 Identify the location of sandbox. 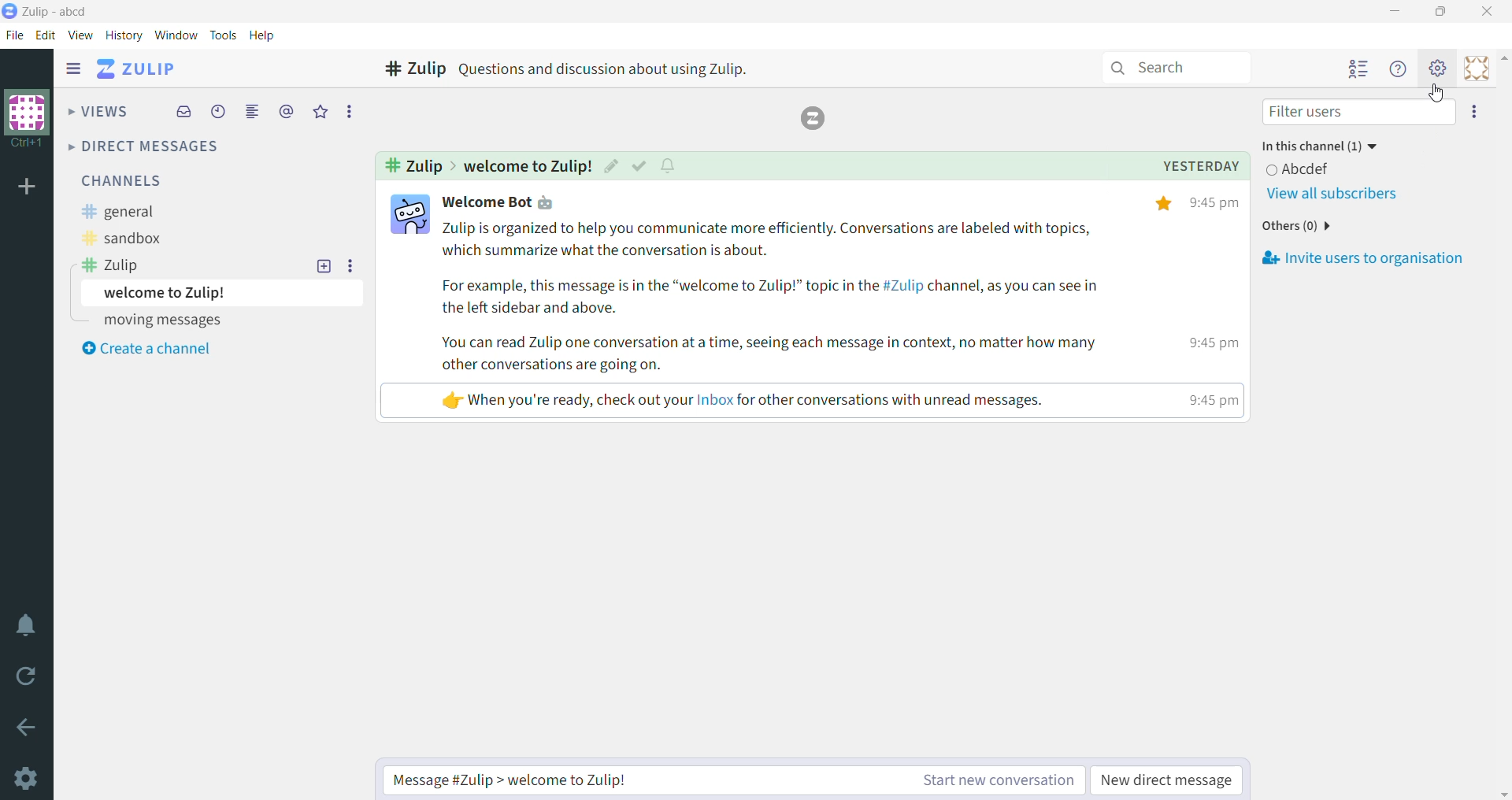
(121, 236).